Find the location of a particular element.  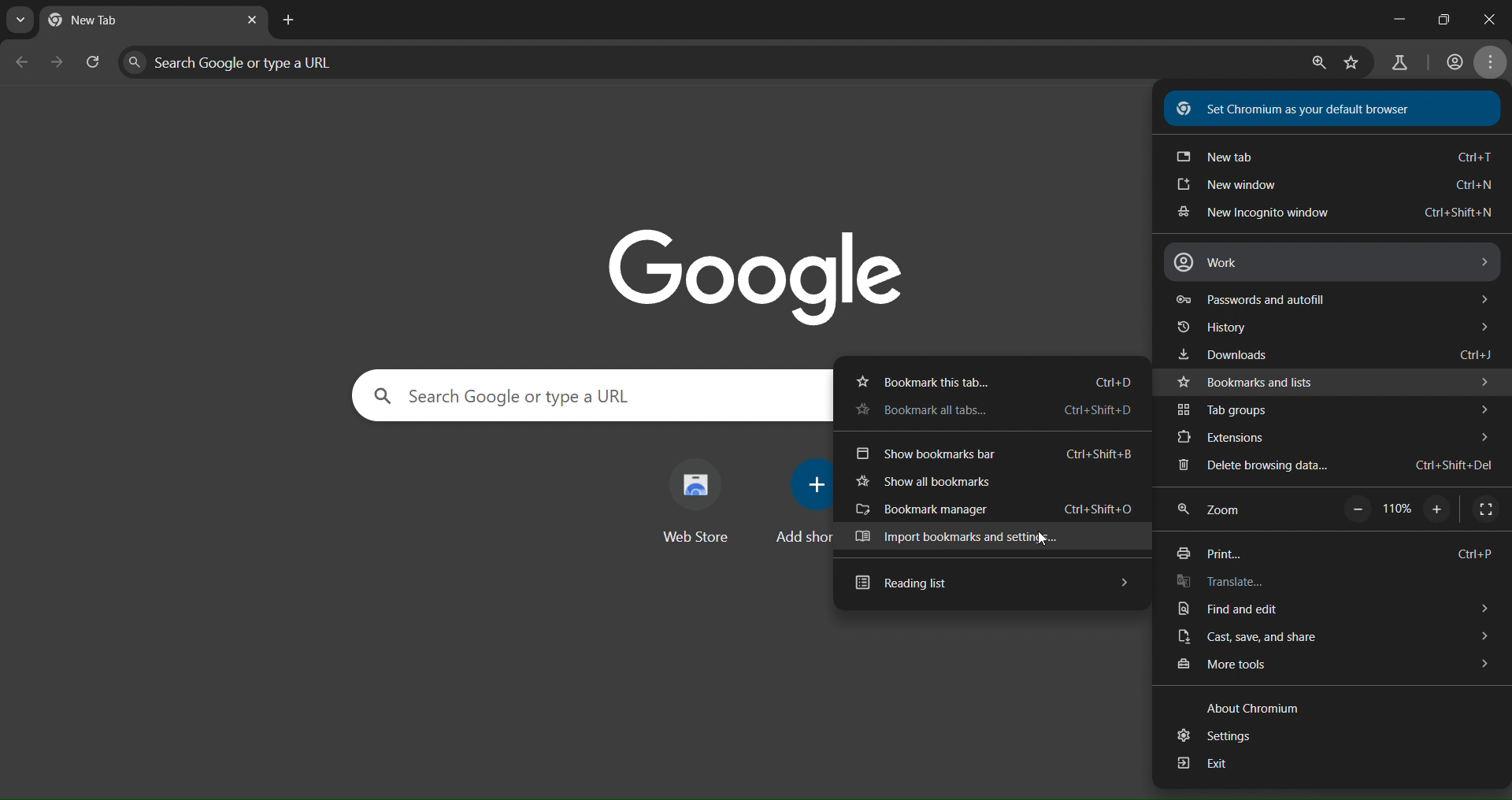

show all bookmarks is located at coordinates (935, 484).